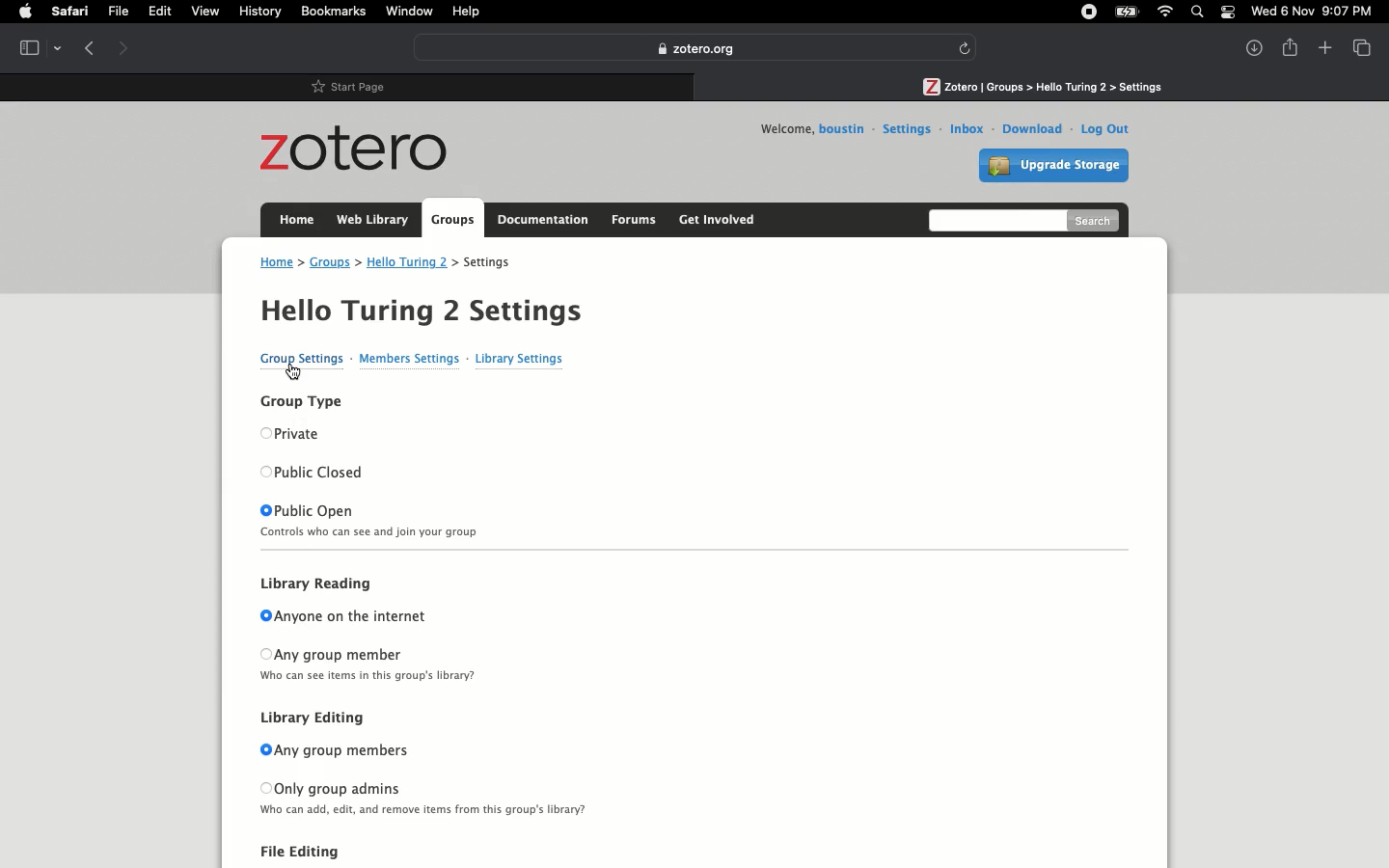 This screenshot has width=1389, height=868. I want to click on Window, so click(409, 11).